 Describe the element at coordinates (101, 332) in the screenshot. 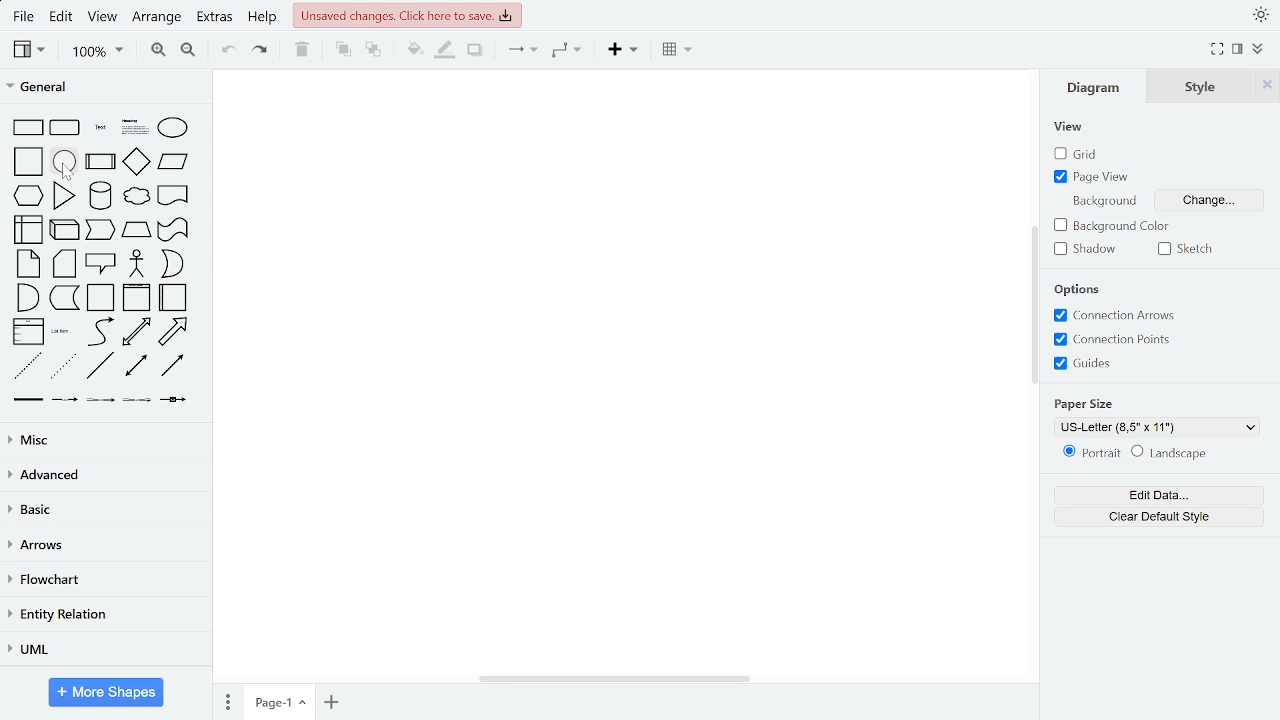

I see `curve` at that location.